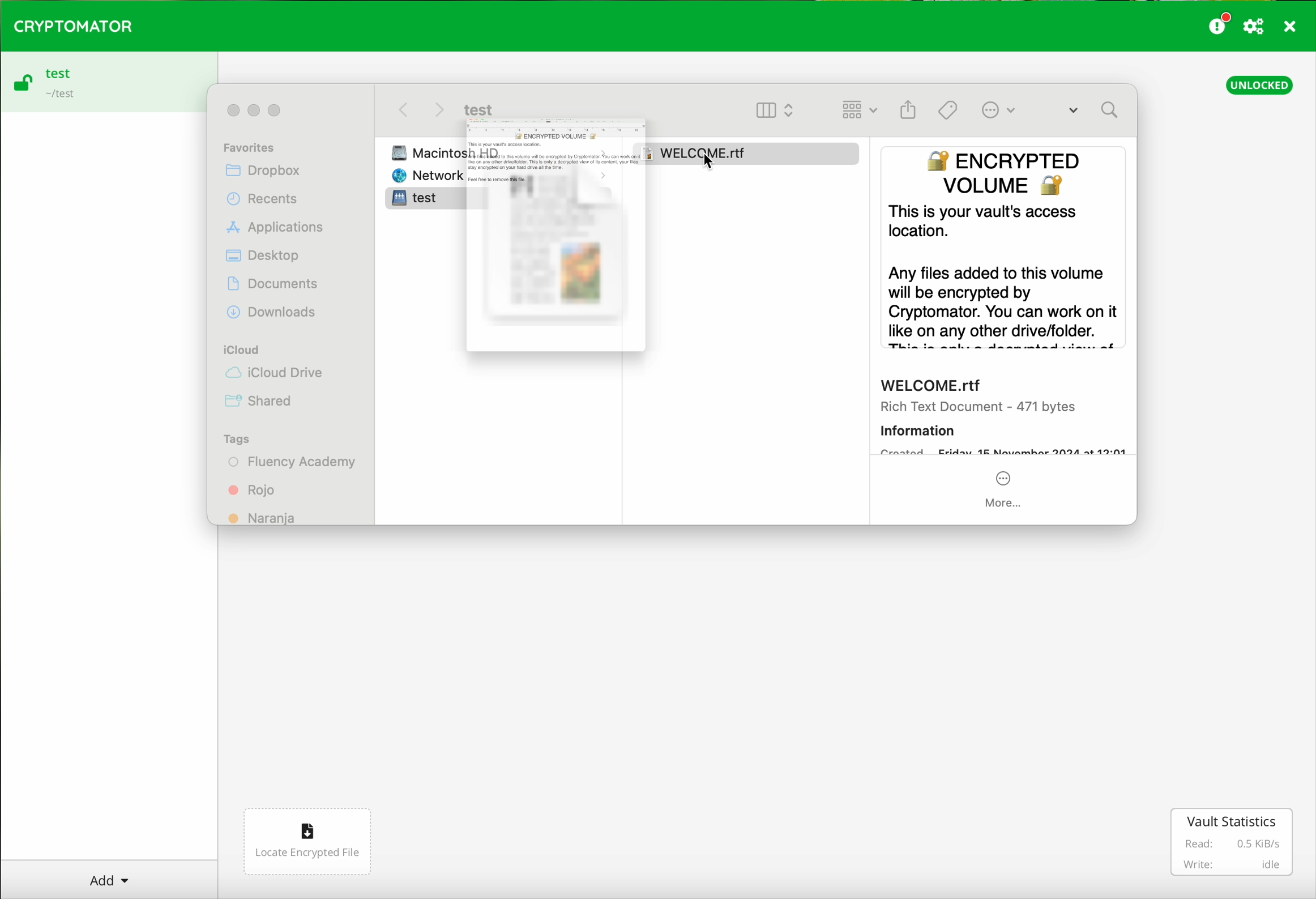 The height and width of the screenshot is (899, 1316). I want to click on cursor, so click(708, 163).